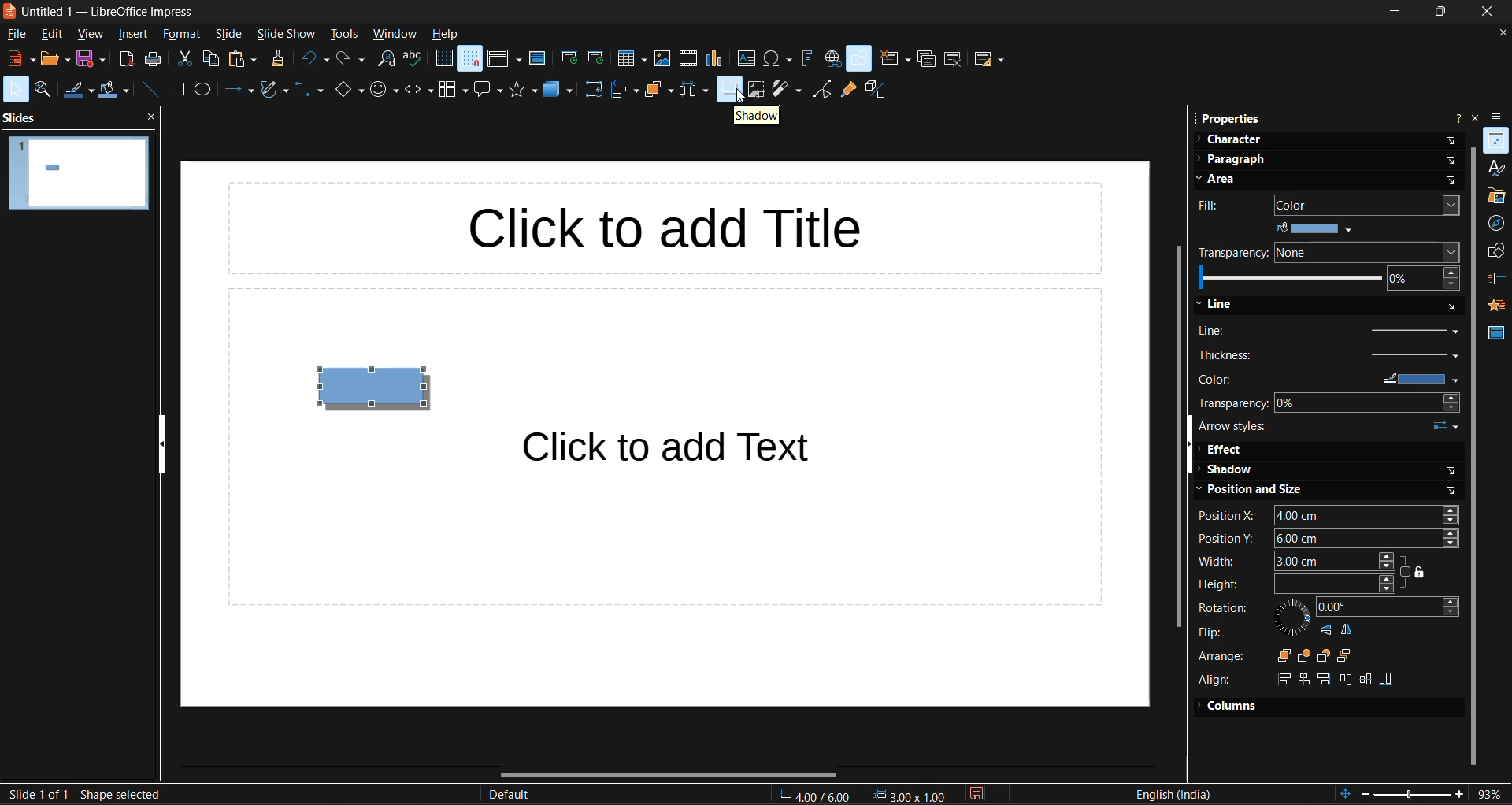 The width and height of the screenshot is (1512, 805). What do you see at coordinates (1254, 492) in the screenshot?
I see `position and size` at bounding box center [1254, 492].